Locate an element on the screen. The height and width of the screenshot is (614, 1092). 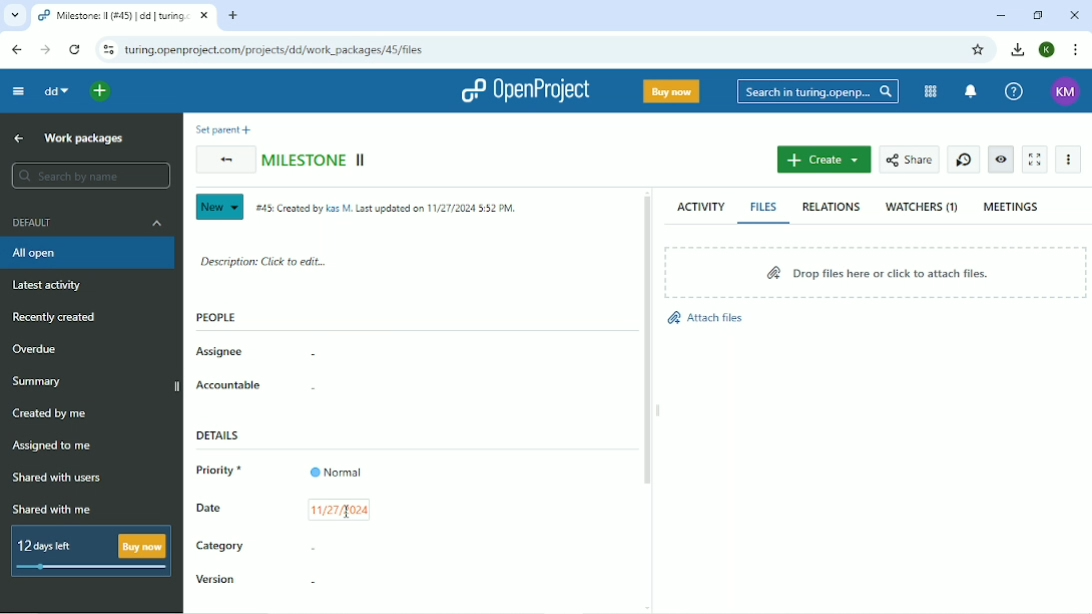
Work packages is located at coordinates (84, 138).